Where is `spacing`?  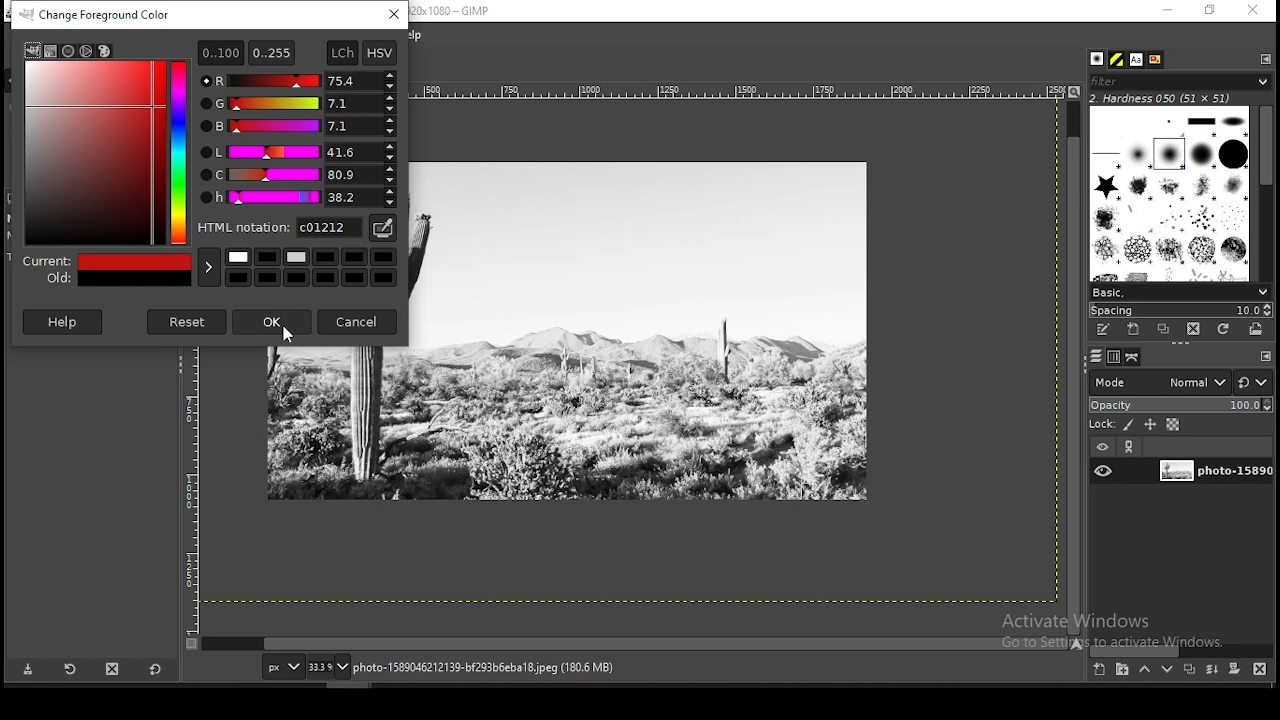 spacing is located at coordinates (1180, 310).